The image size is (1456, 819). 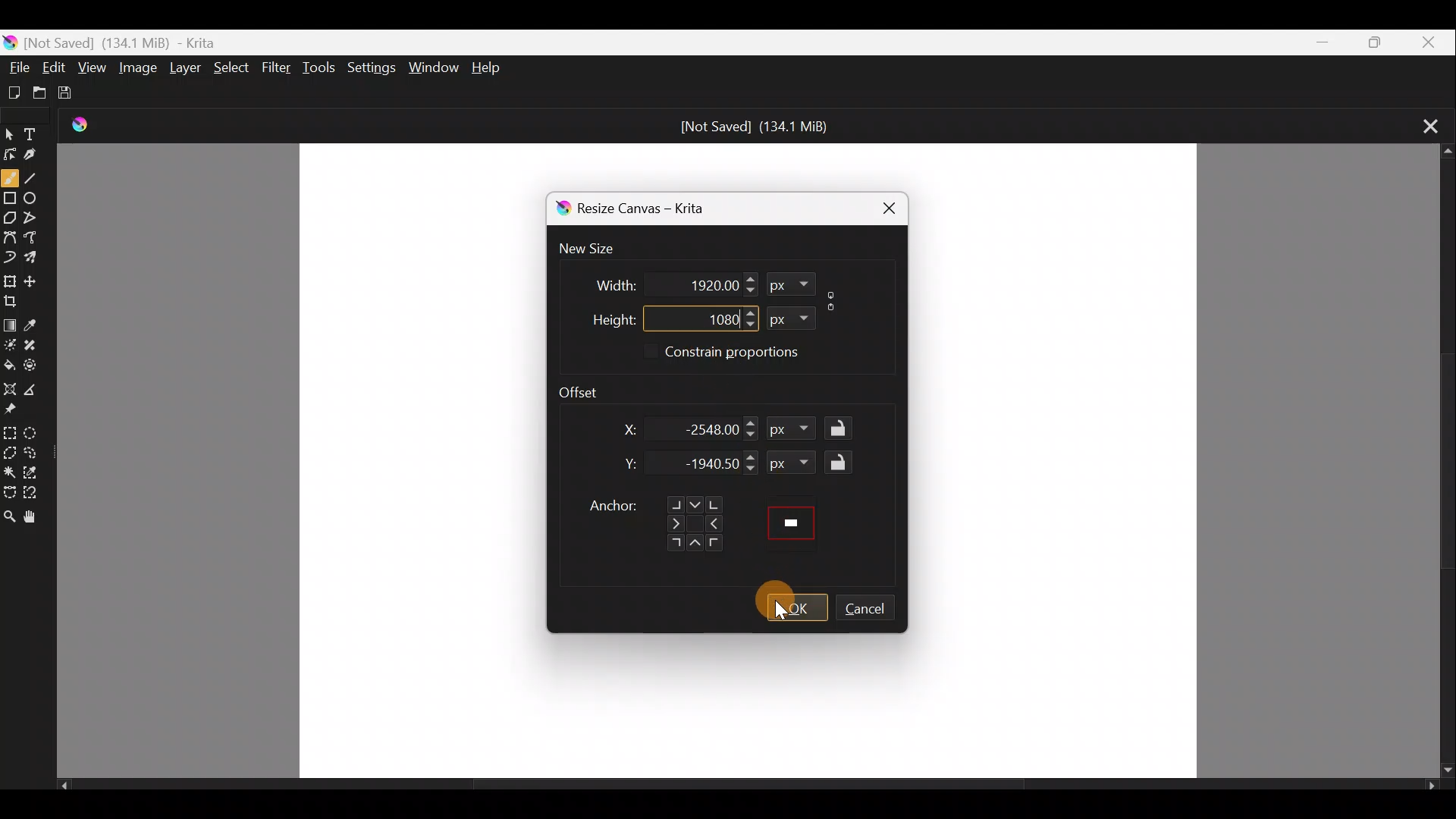 What do you see at coordinates (796, 523) in the screenshot?
I see `Preview` at bounding box center [796, 523].